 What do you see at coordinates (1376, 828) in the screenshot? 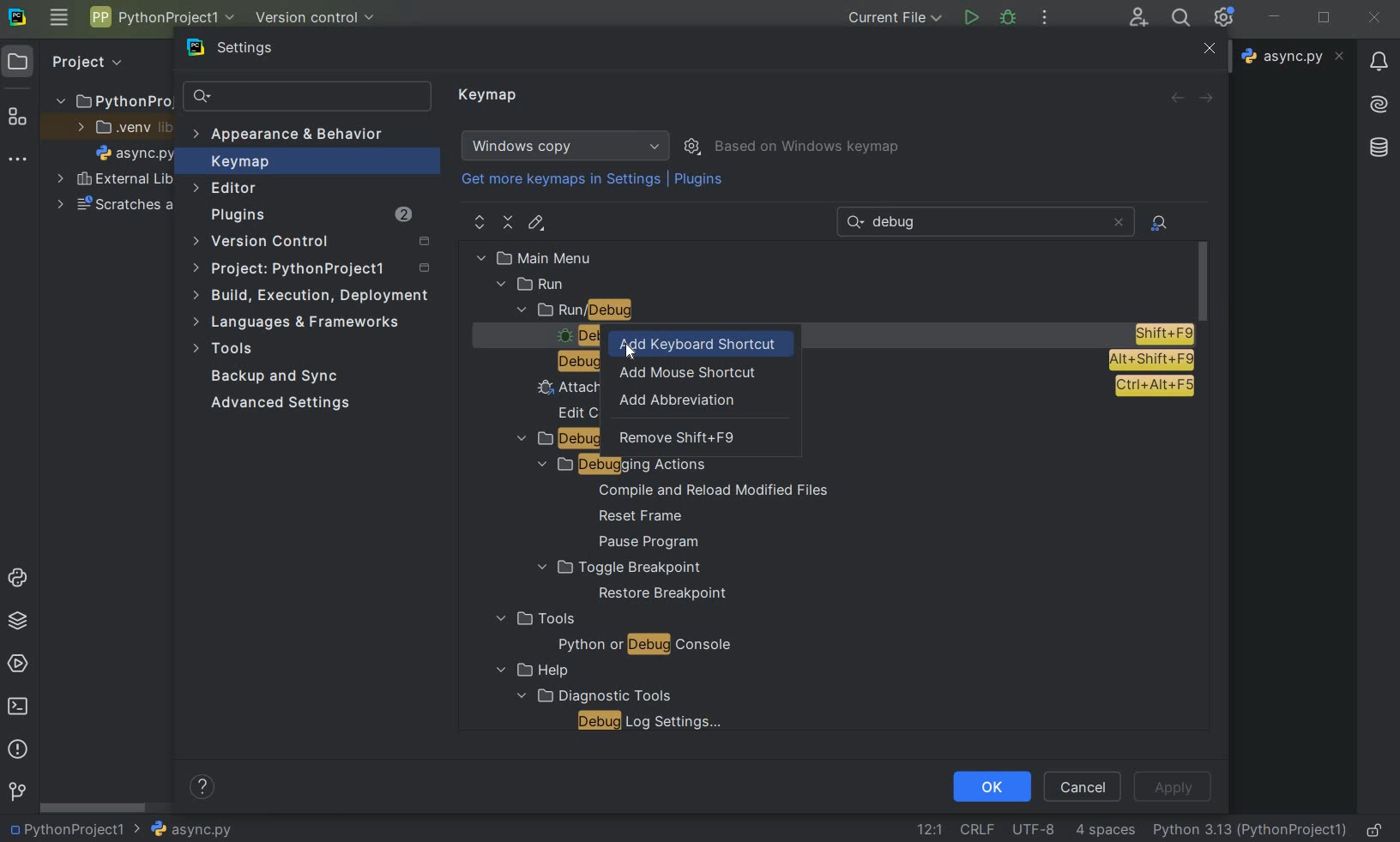
I see `make file readable only` at bounding box center [1376, 828].